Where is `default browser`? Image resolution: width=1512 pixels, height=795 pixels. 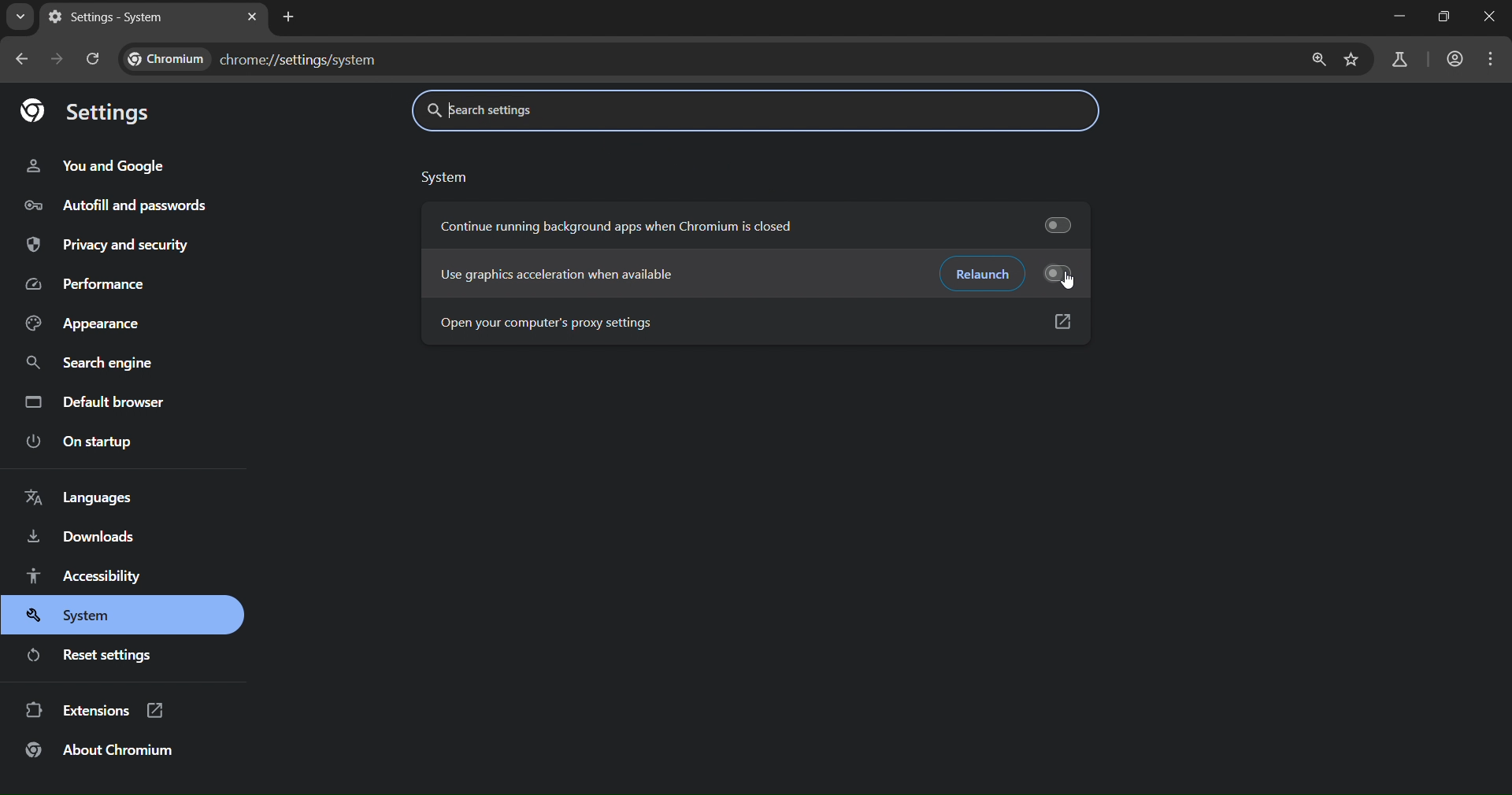 default browser is located at coordinates (112, 400).